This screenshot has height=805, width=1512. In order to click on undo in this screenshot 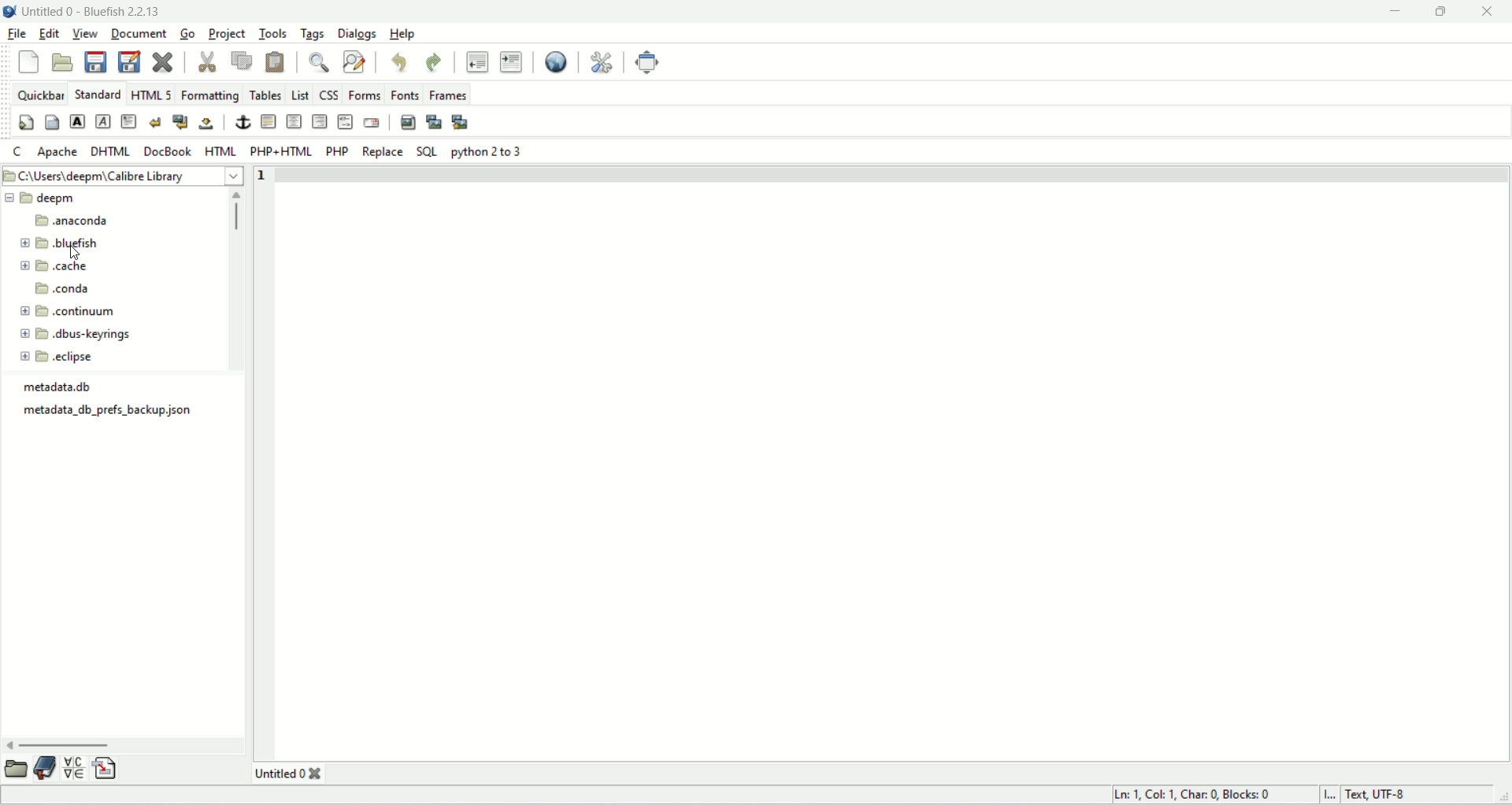, I will do `click(401, 63)`.